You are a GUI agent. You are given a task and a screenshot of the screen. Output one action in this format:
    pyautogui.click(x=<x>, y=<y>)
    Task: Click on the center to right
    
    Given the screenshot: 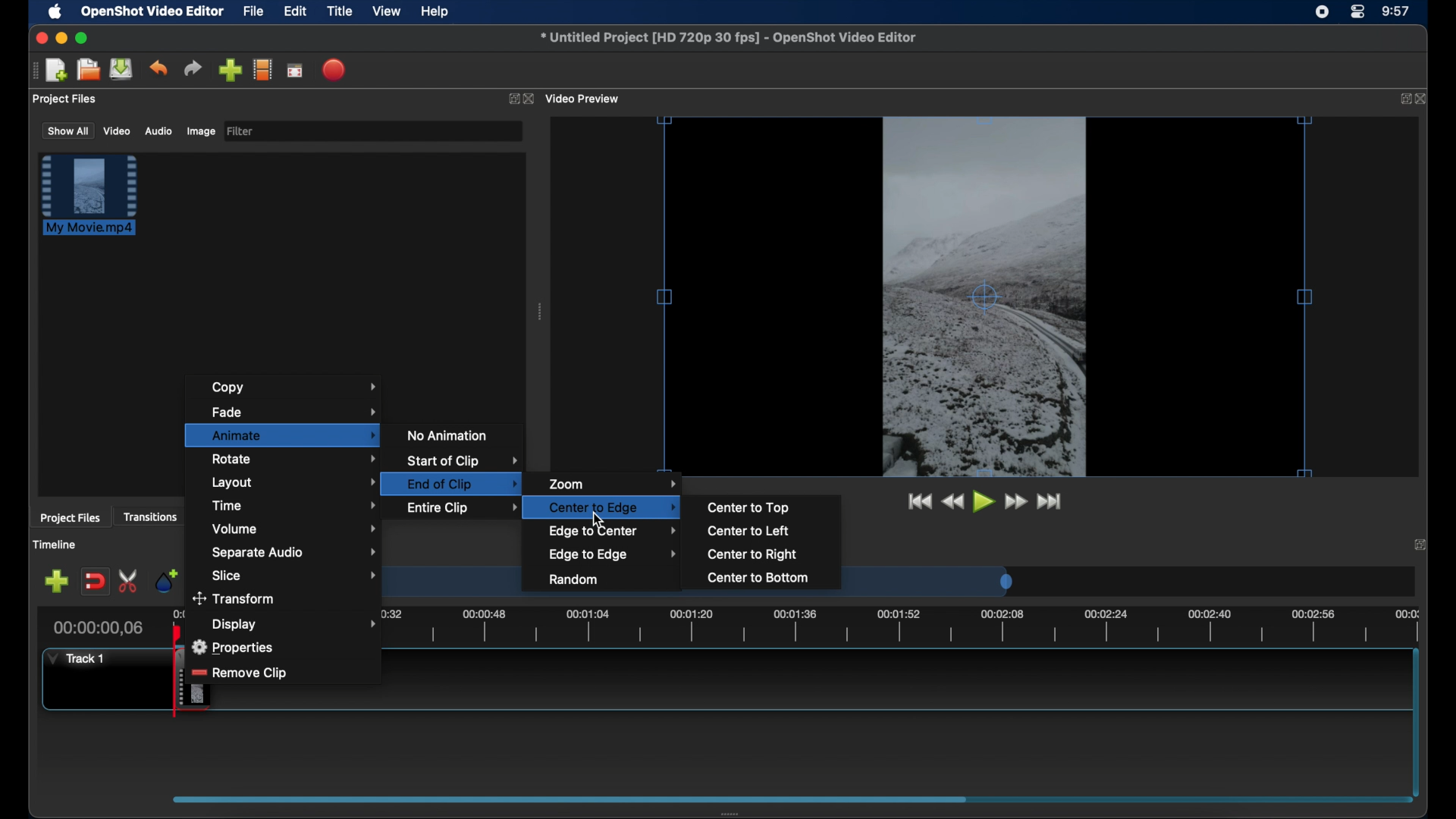 What is the action you would take?
    pyautogui.click(x=753, y=554)
    